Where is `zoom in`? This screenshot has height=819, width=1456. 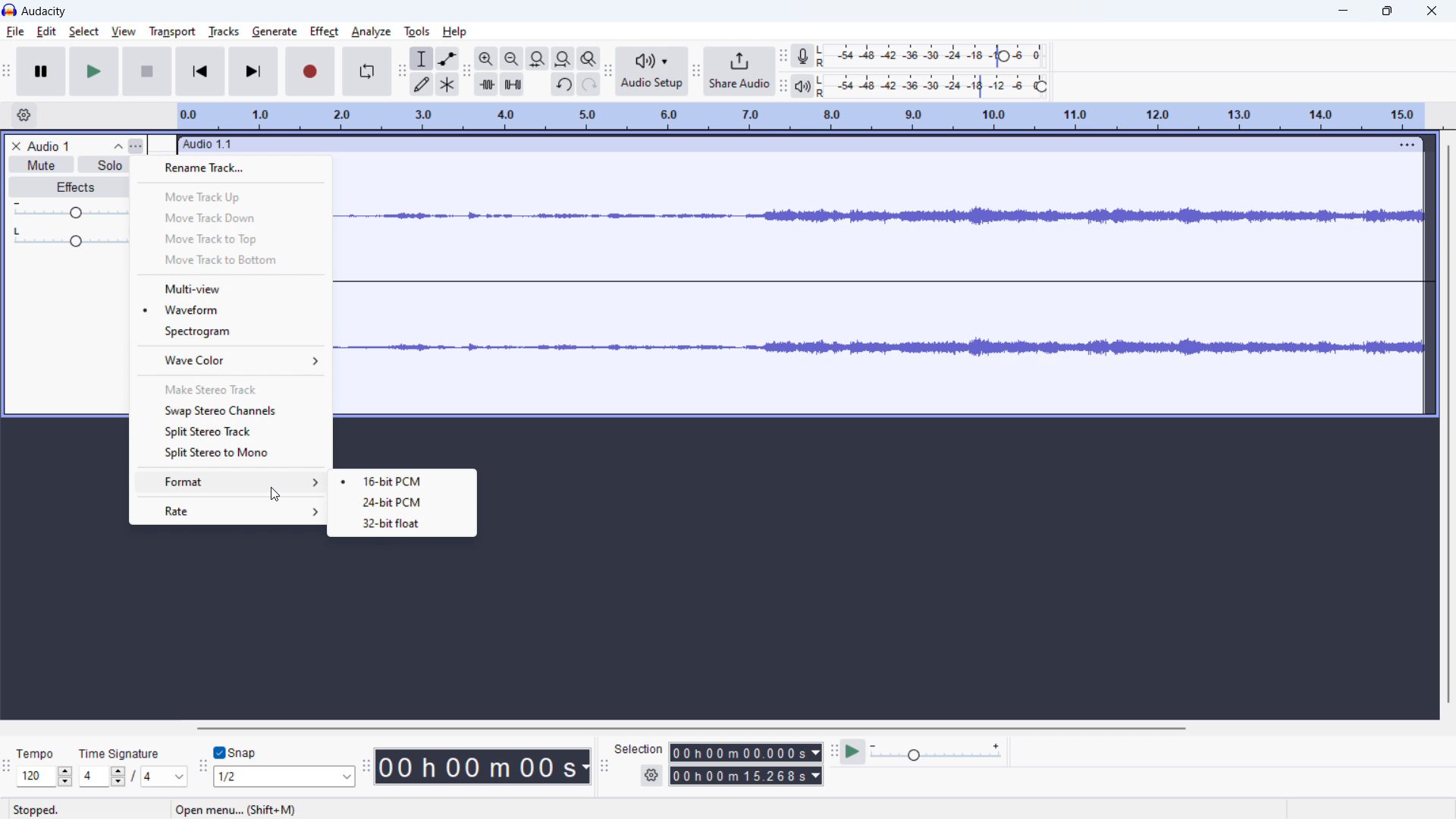 zoom in is located at coordinates (485, 58).